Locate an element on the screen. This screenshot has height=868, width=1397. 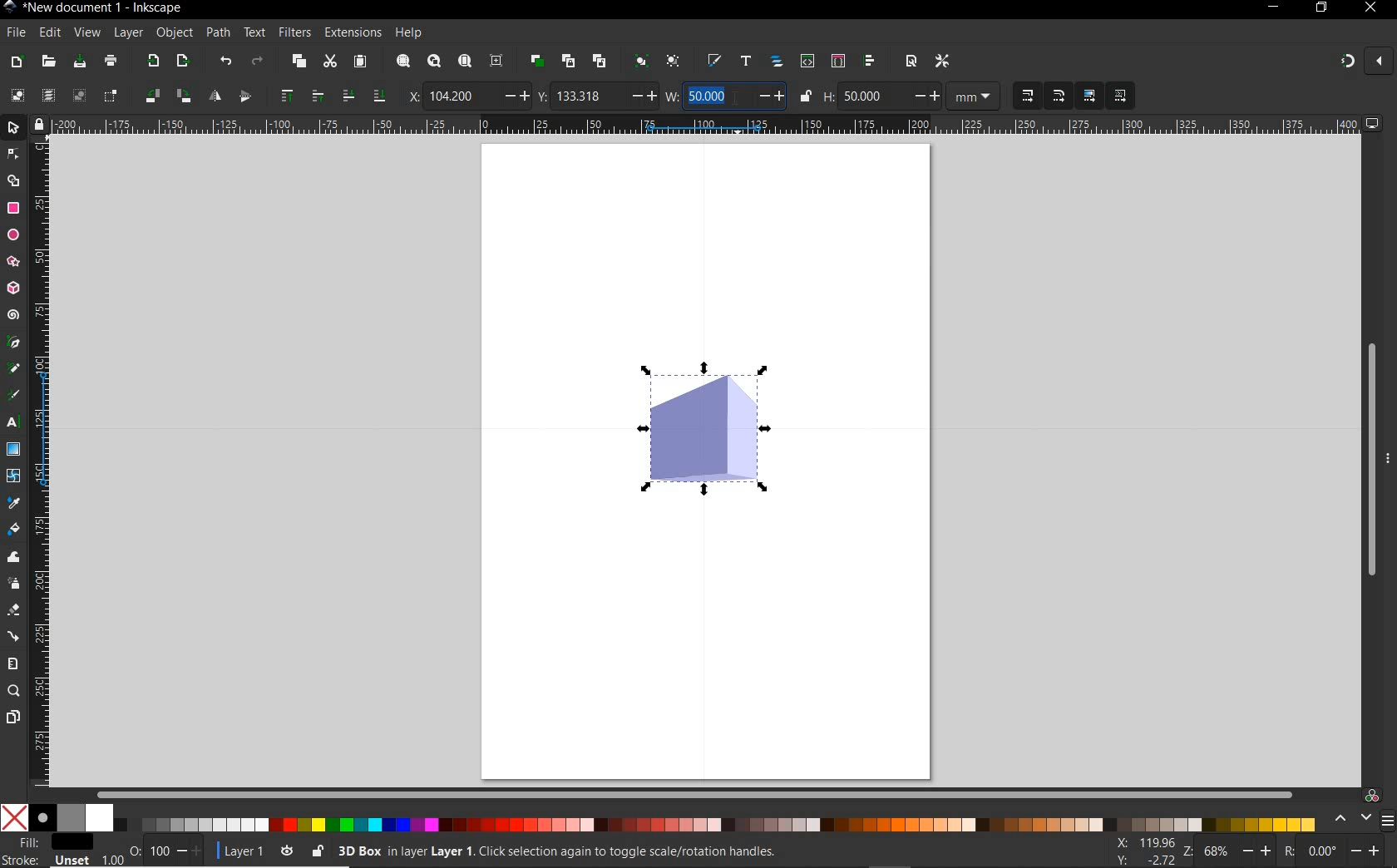
title is located at coordinates (102, 10).